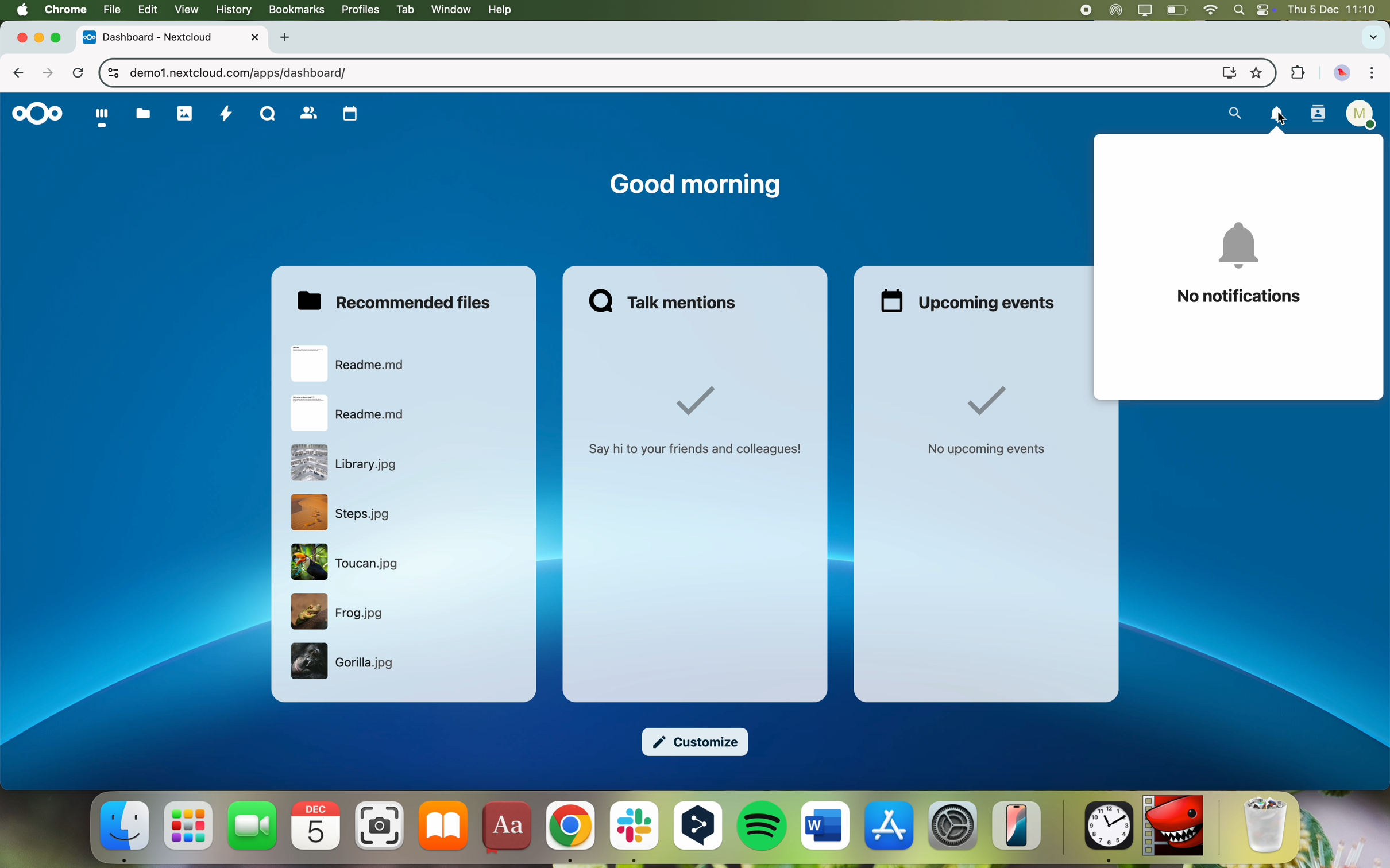  What do you see at coordinates (763, 827) in the screenshot?
I see `Spotify` at bounding box center [763, 827].